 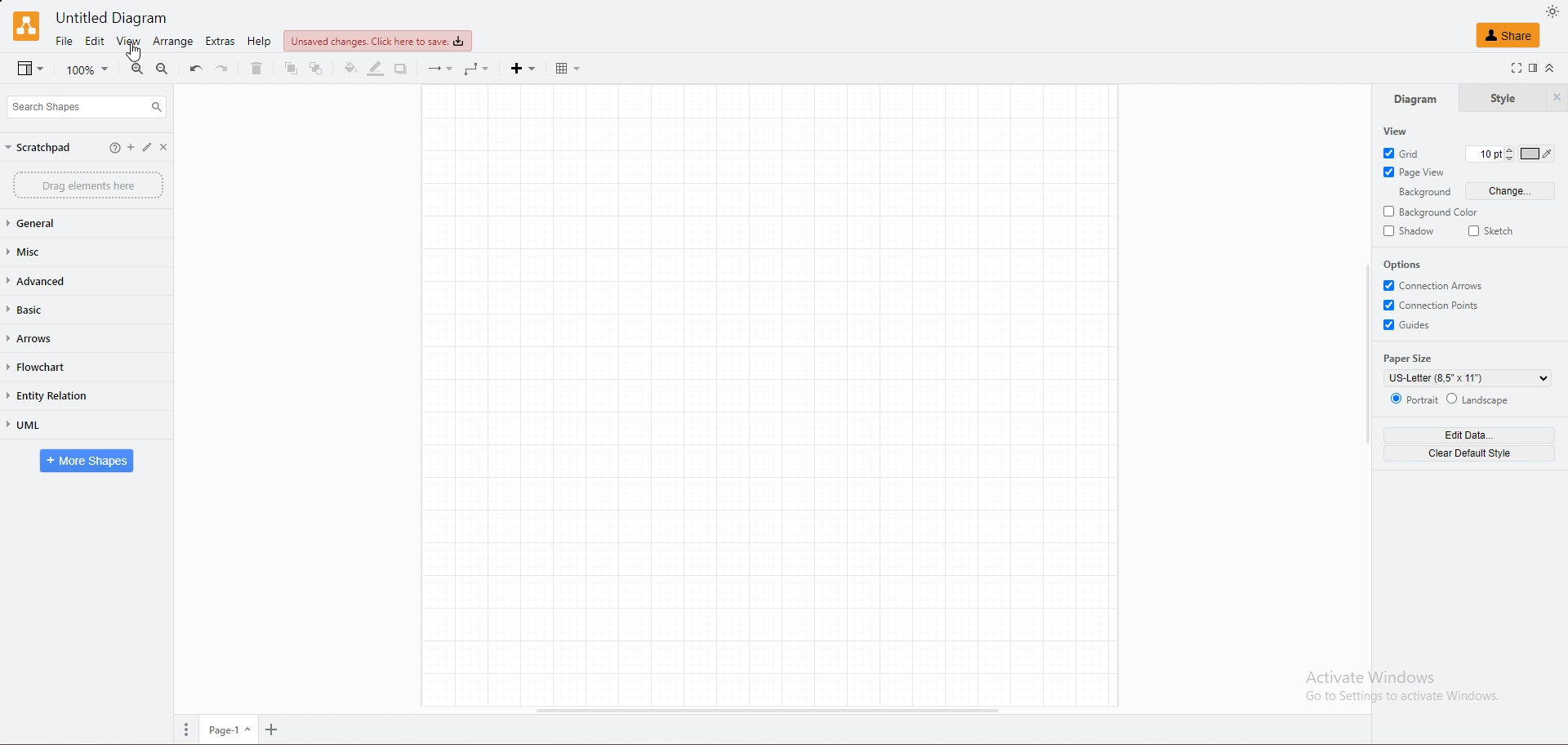 What do you see at coordinates (96, 41) in the screenshot?
I see `edit` at bounding box center [96, 41].